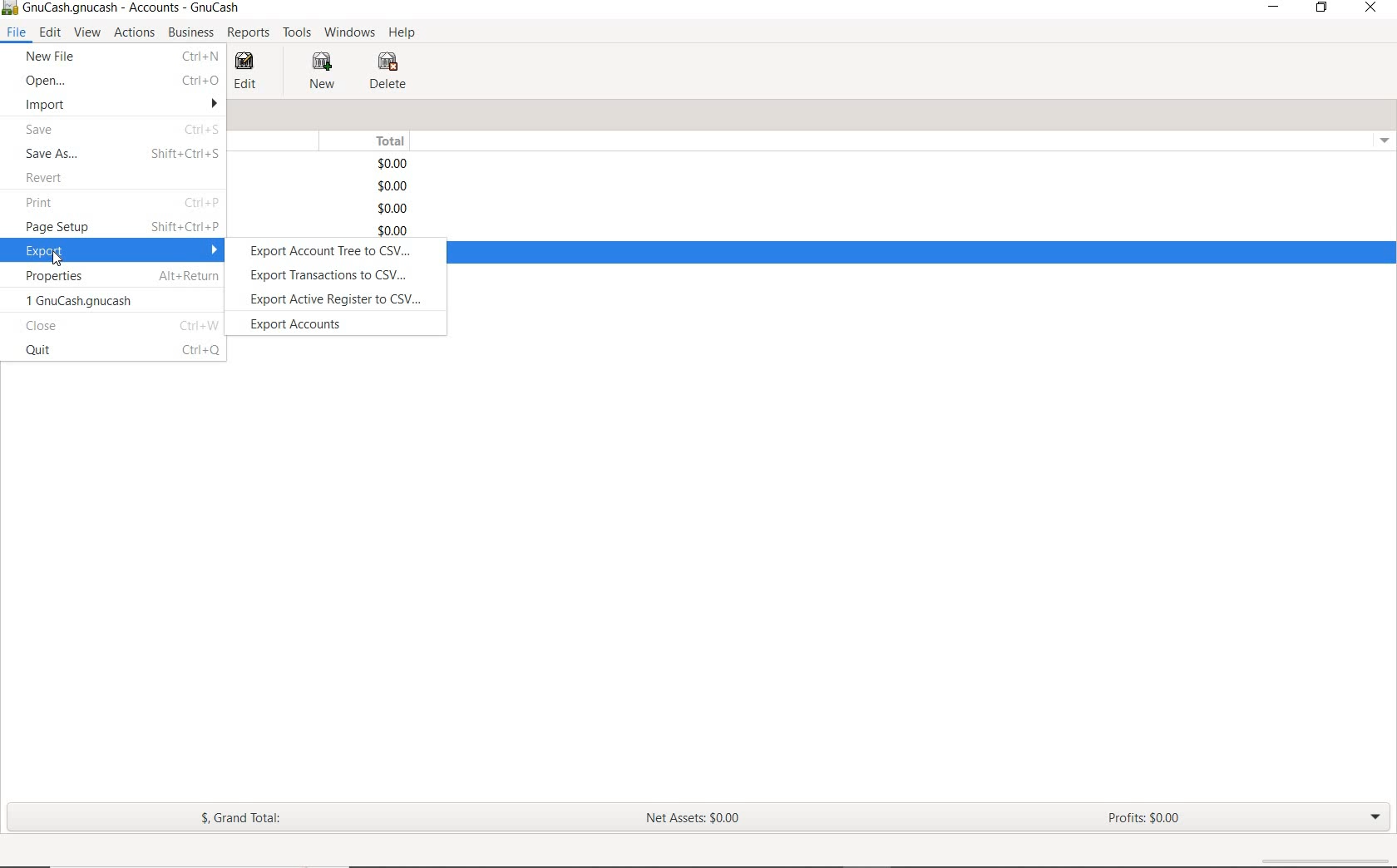 Image resolution: width=1397 pixels, height=868 pixels. I want to click on $0.00, so click(393, 207).